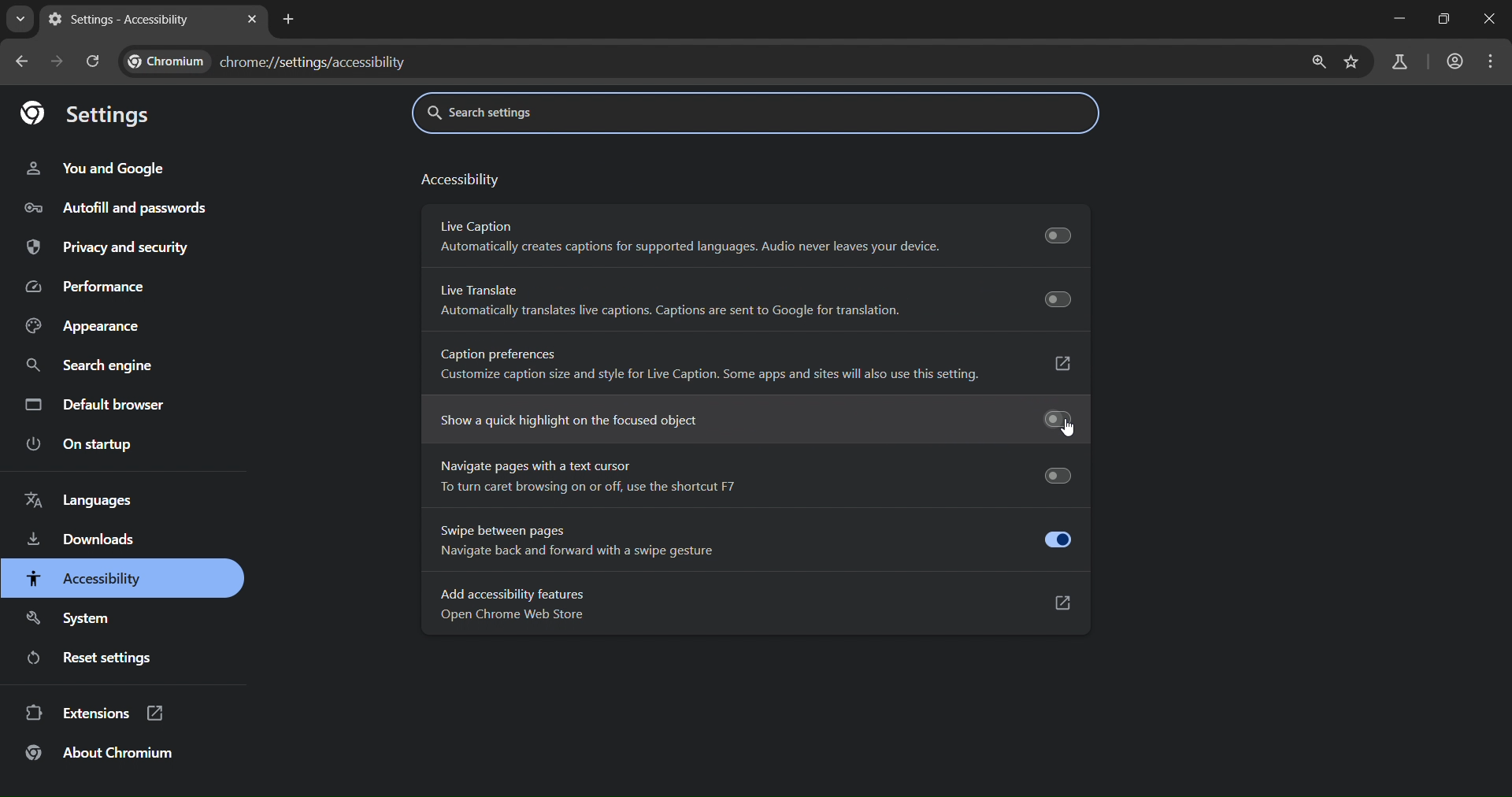 The image size is (1512, 797). I want to click on autofill and passwords, so click(115, 209).